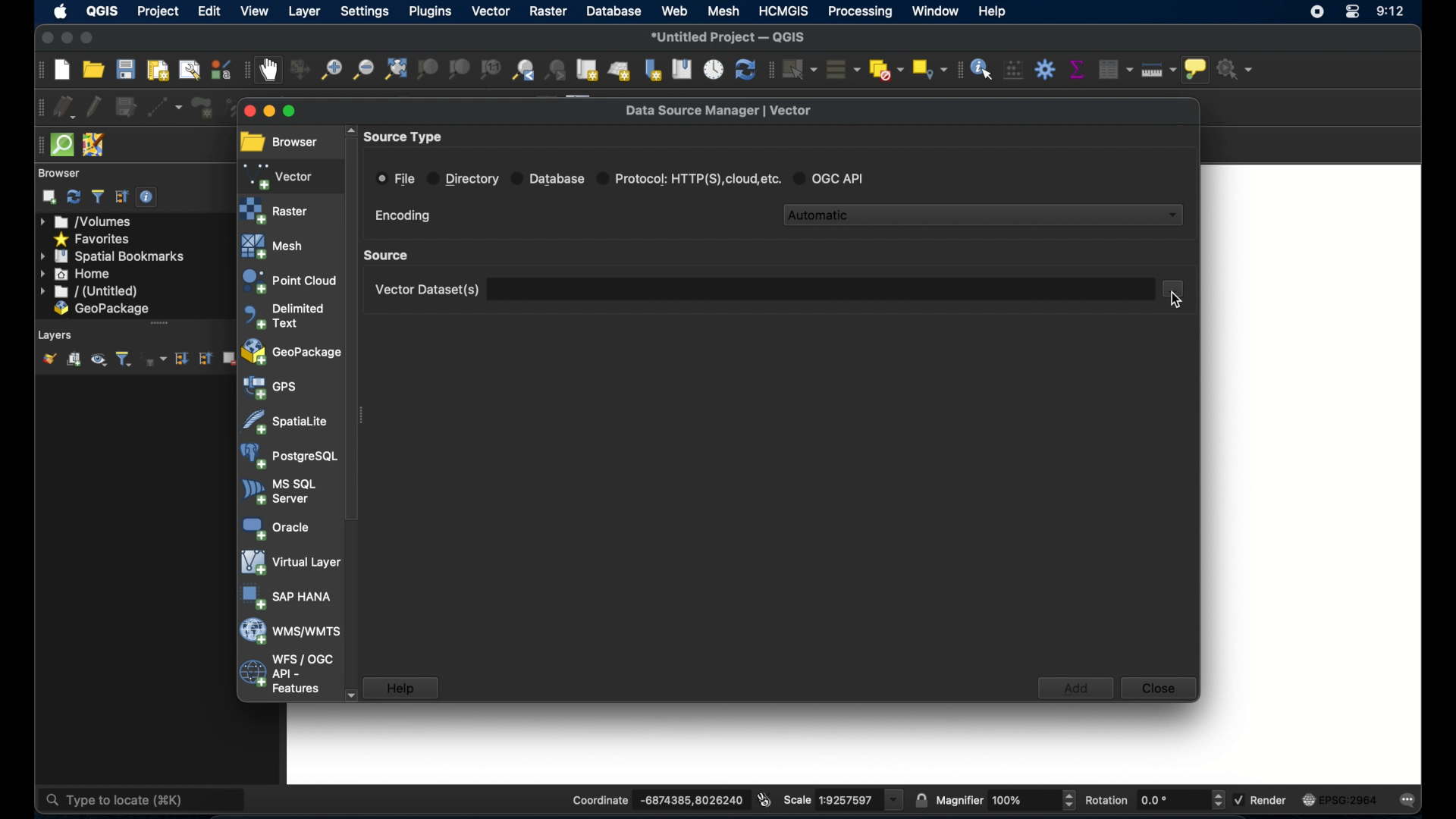  Describe the element at coordinates (401, 688) in the screenshot. I see `help` at that location.